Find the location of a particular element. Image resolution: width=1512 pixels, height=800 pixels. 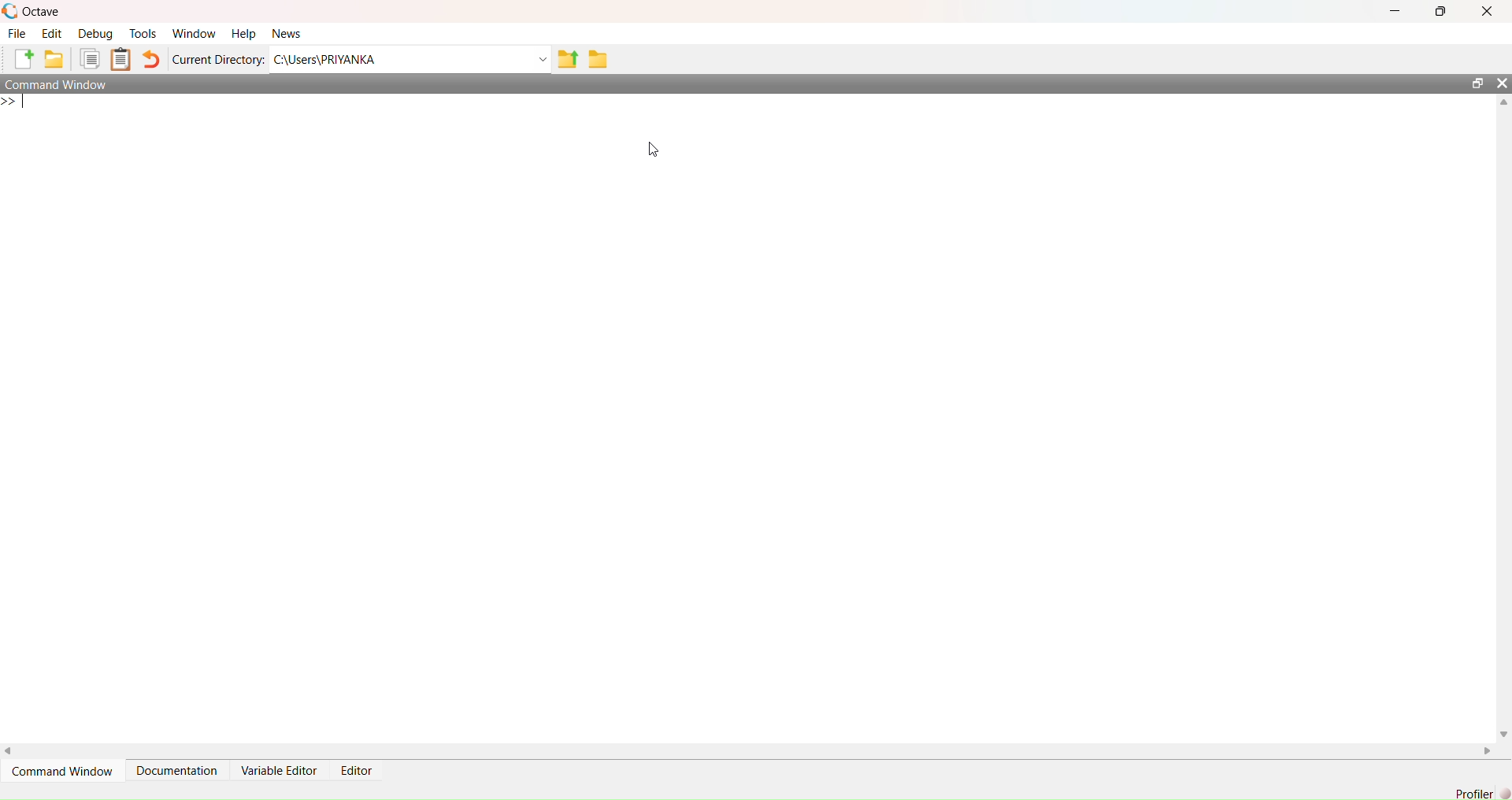

cursor is located at coordinates (653, 150).